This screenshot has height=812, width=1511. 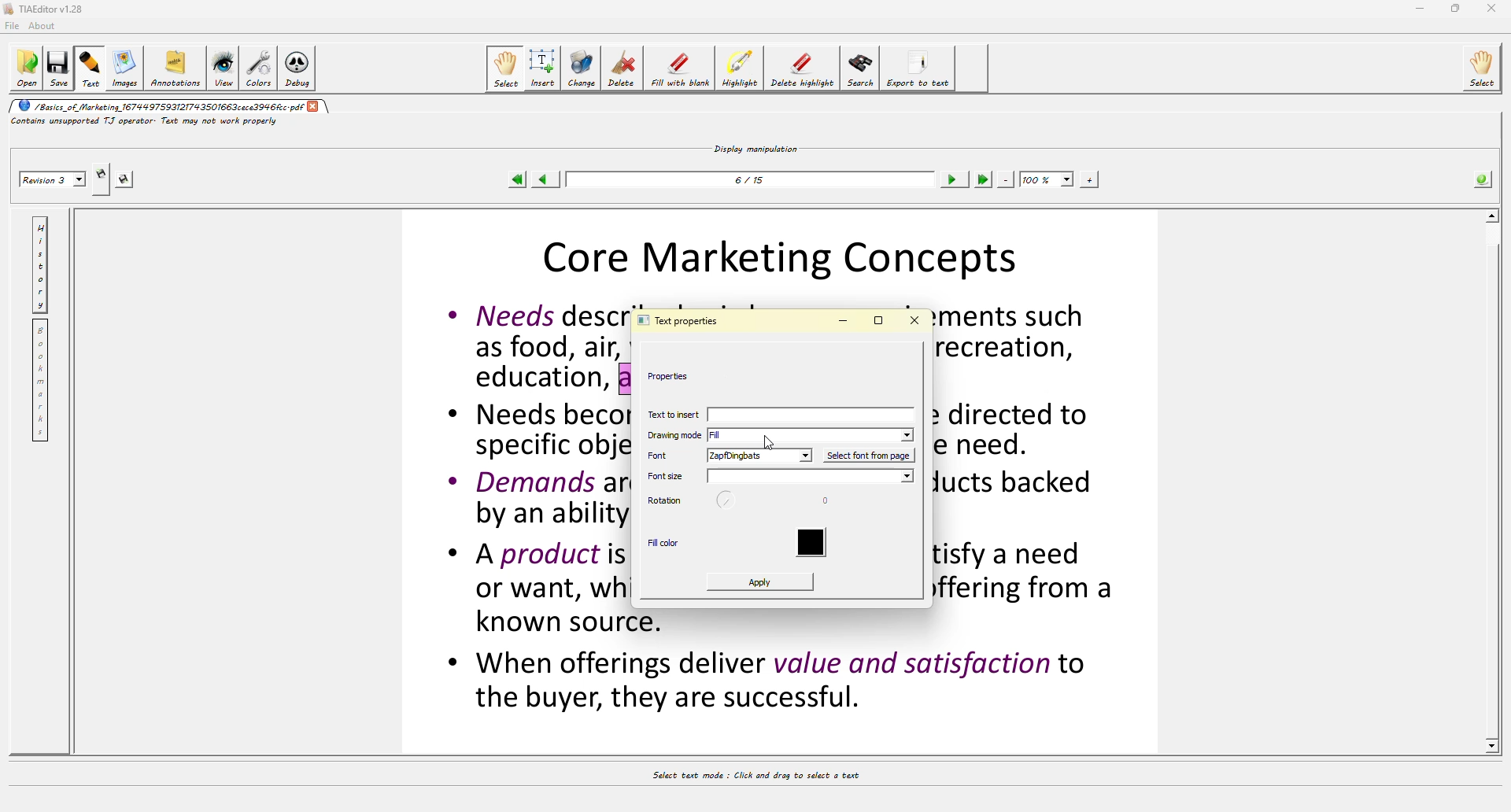 What do you see at coordinates (1489, 215) in the screenshot?
I see `scroll up` at bounding box center [1489, 215].